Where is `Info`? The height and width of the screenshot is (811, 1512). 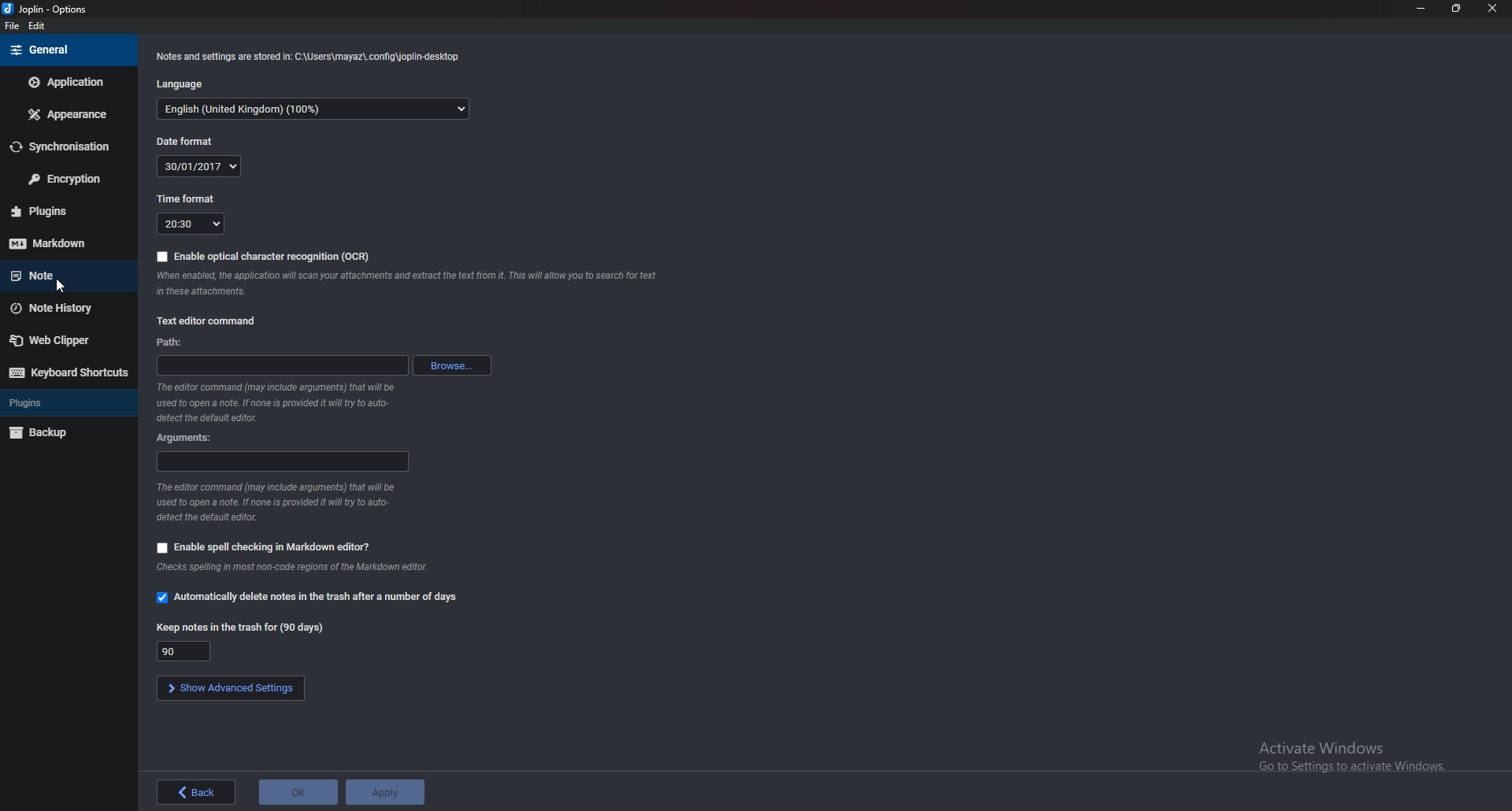
Info is located at coordinates (283, 402).